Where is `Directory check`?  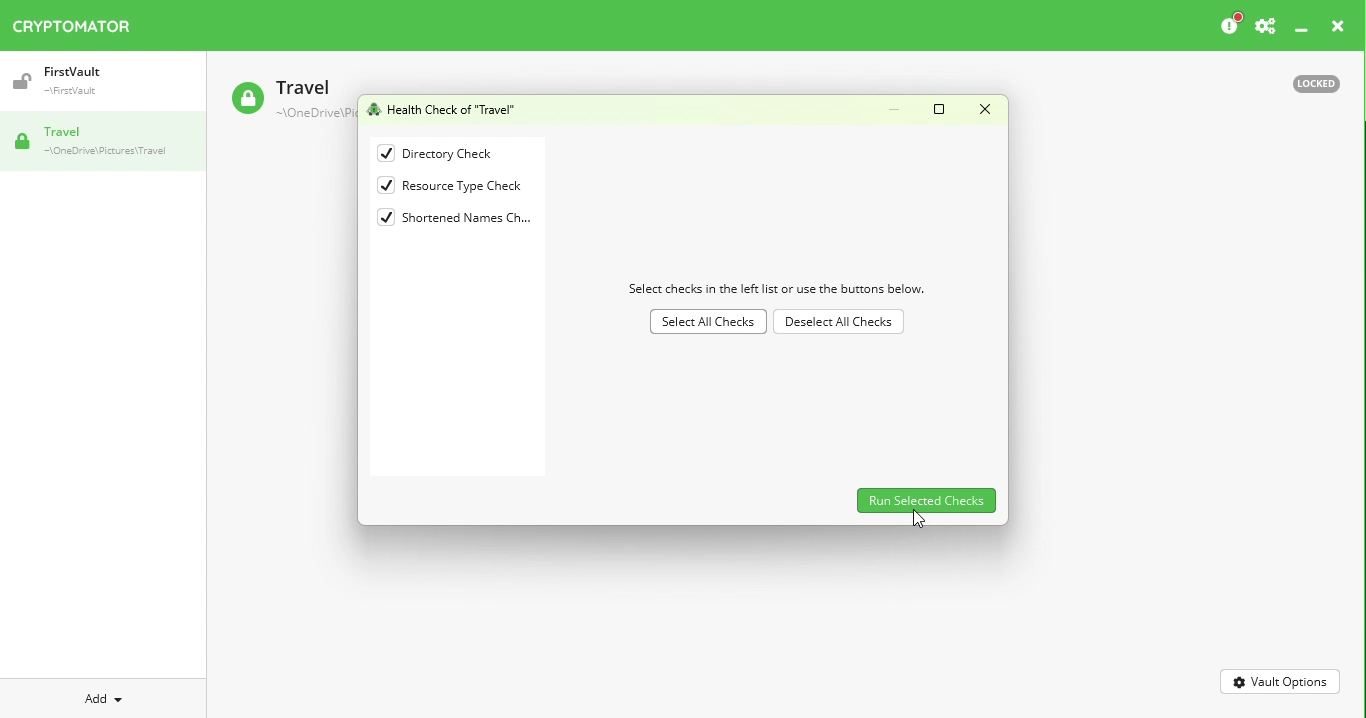
Directory check is located at coordinates (450, 153).